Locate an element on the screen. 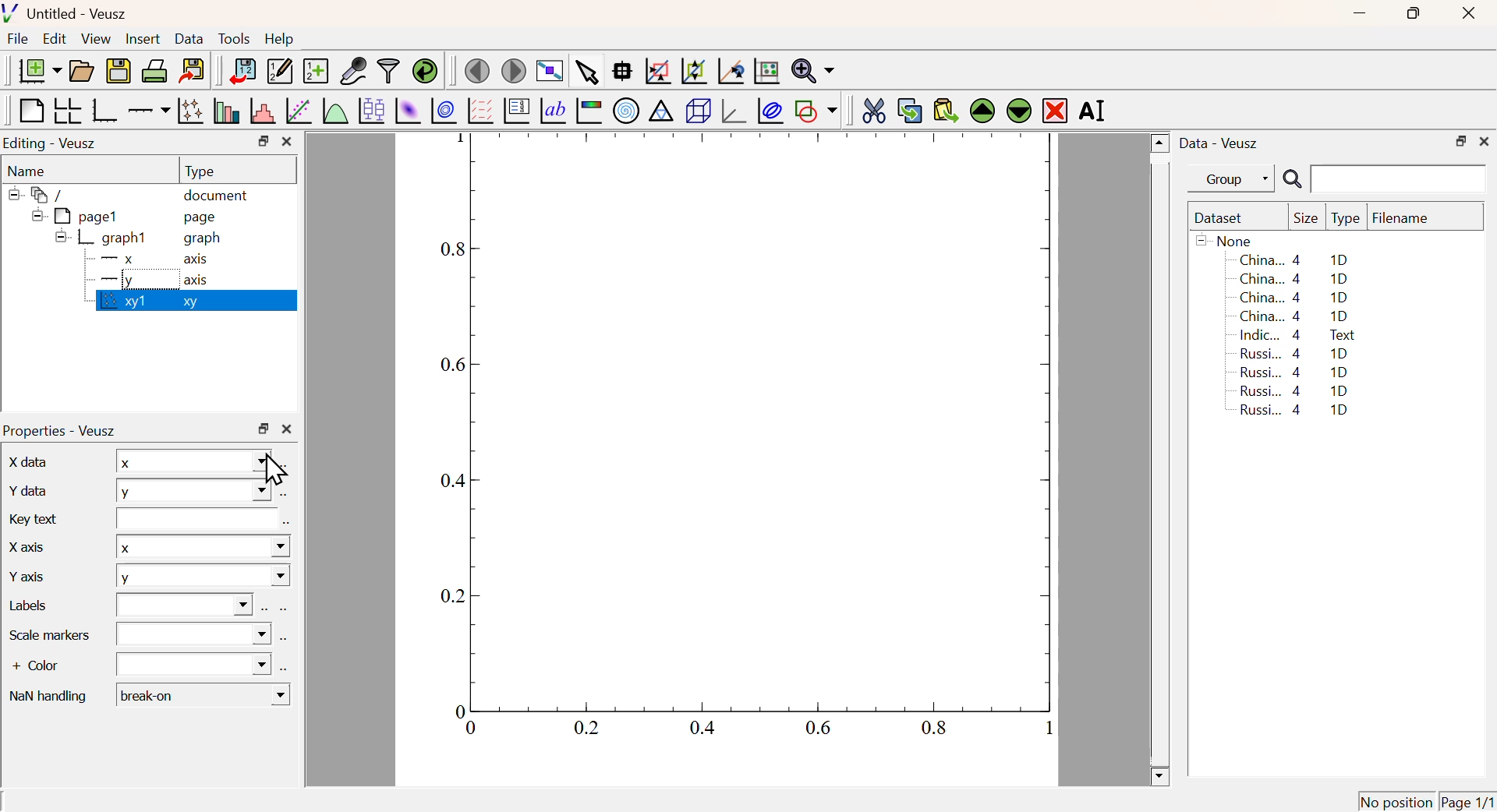  Close is located at coordinates (1466, 15).